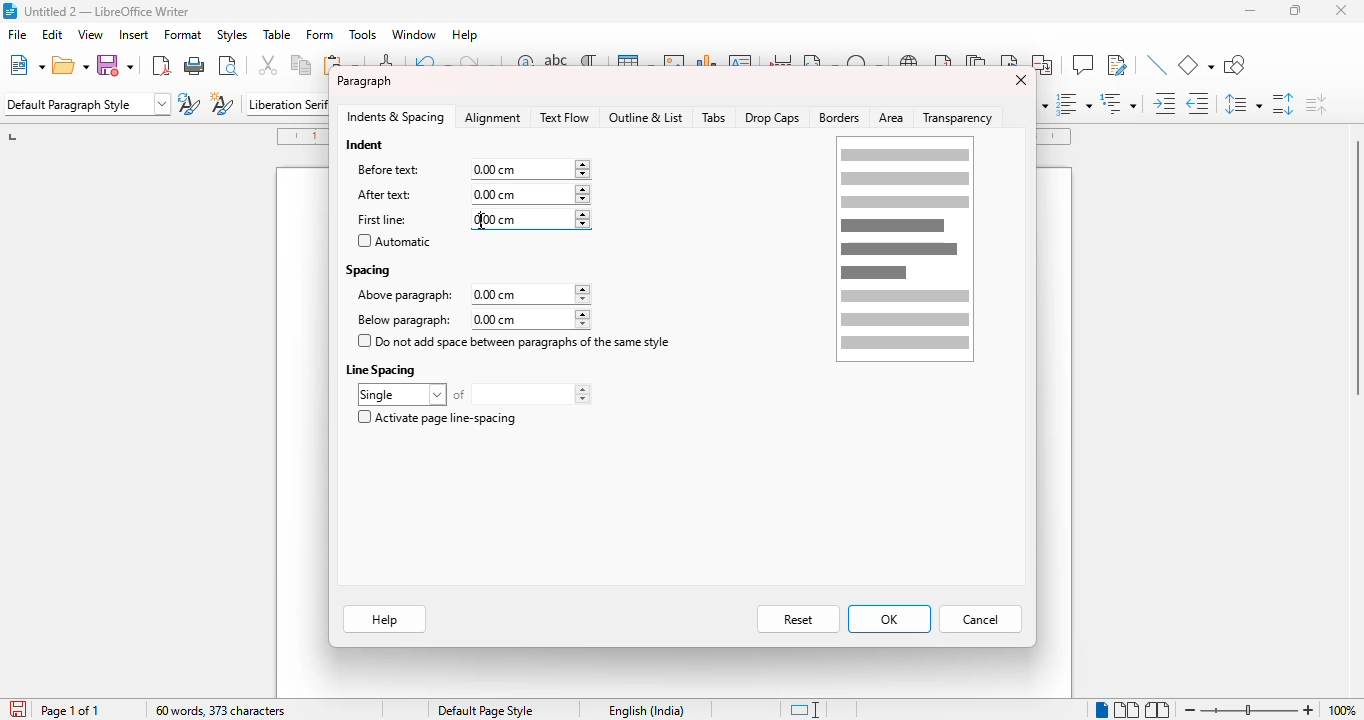 The width and height of the screenshot is (1364, 720). Describe the element at coordinates (1342, 710) in the screenshot. I see `zoom factor` at that location.